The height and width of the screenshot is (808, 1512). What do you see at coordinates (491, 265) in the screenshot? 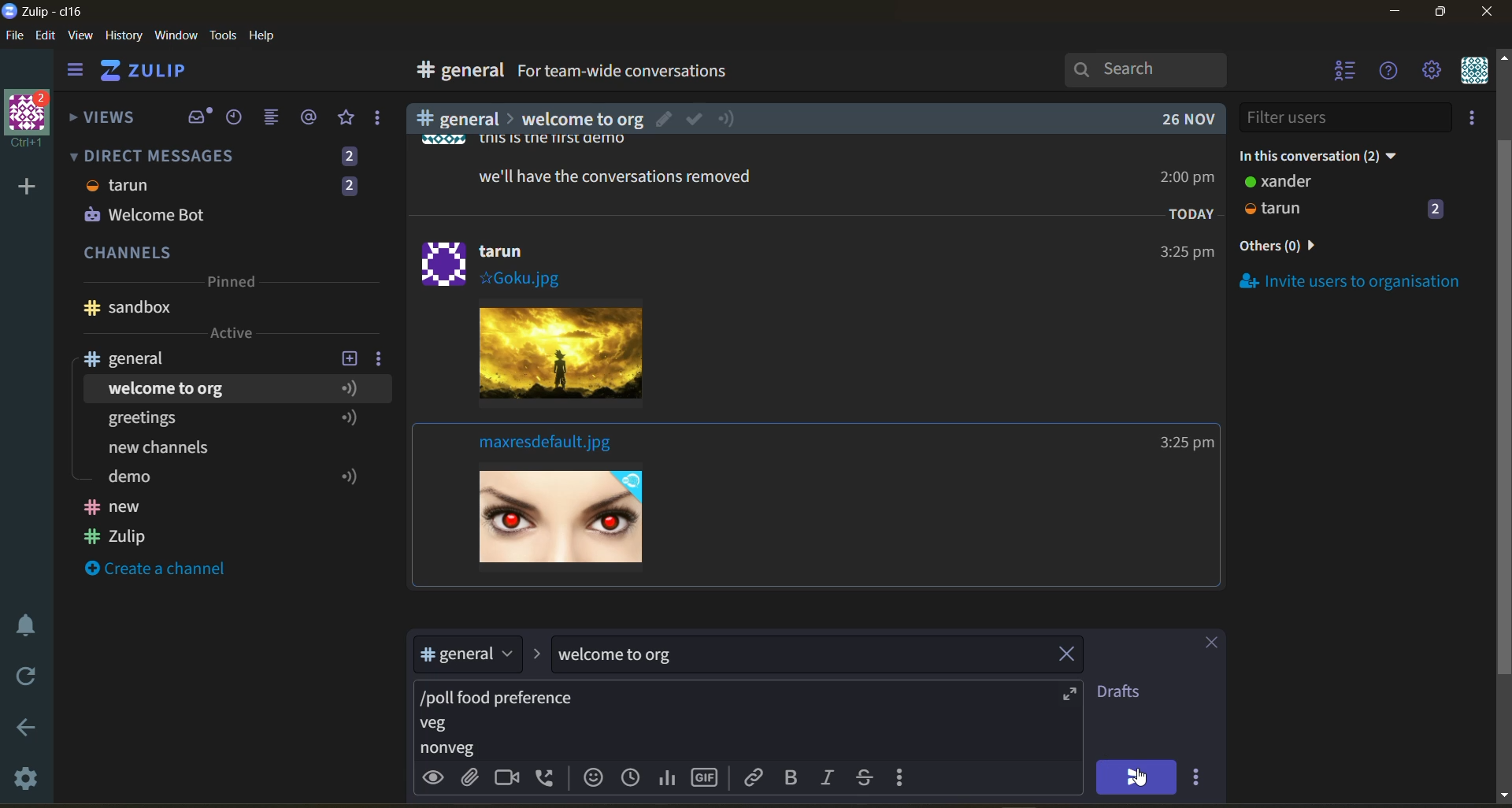
I see `` at bounding box center [491, 265].